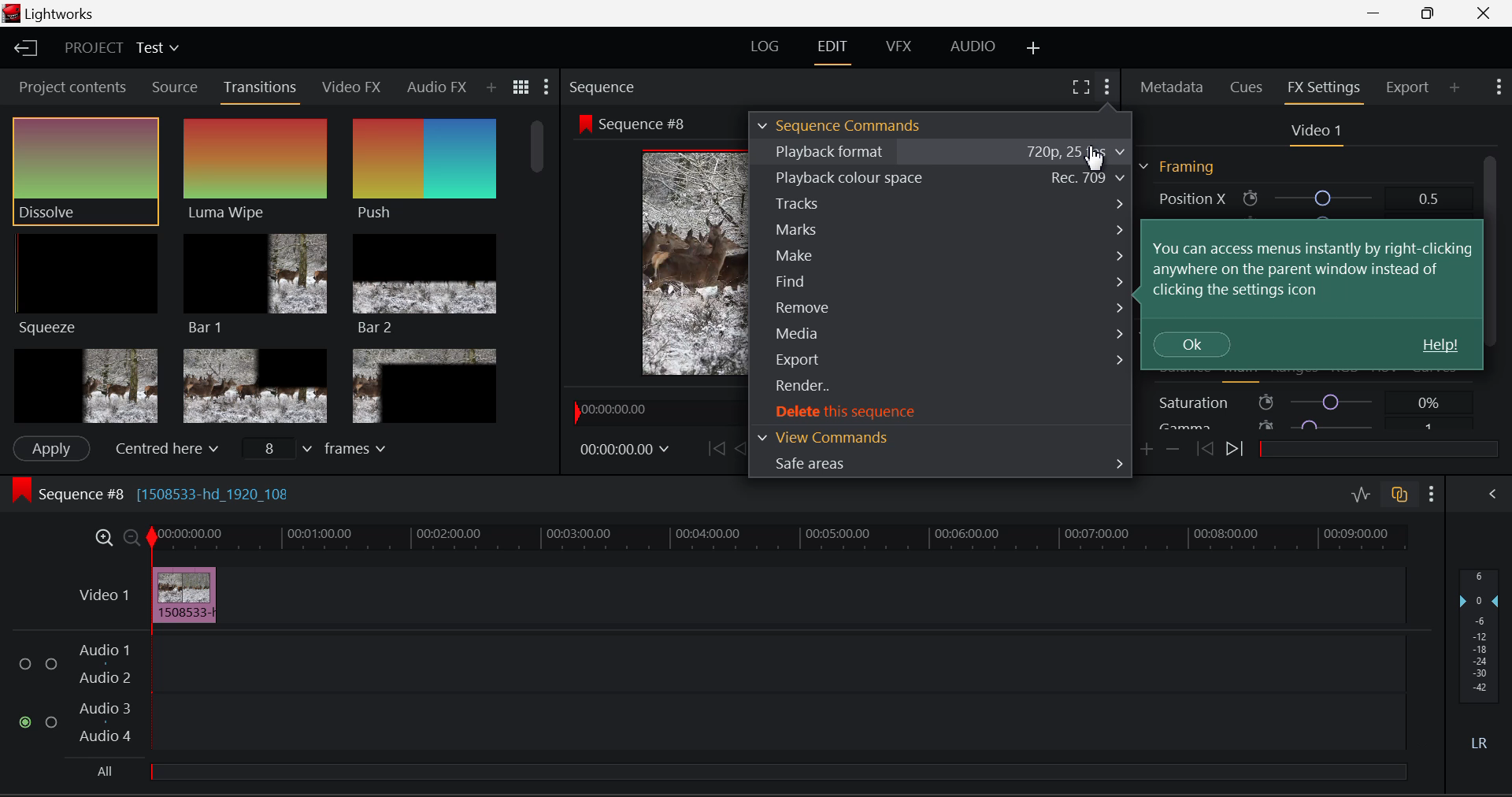 The image size is (1512, 797). Describe the element at coordinates (1323, 88) in the screenshot. I see `FX Settings` at that location.